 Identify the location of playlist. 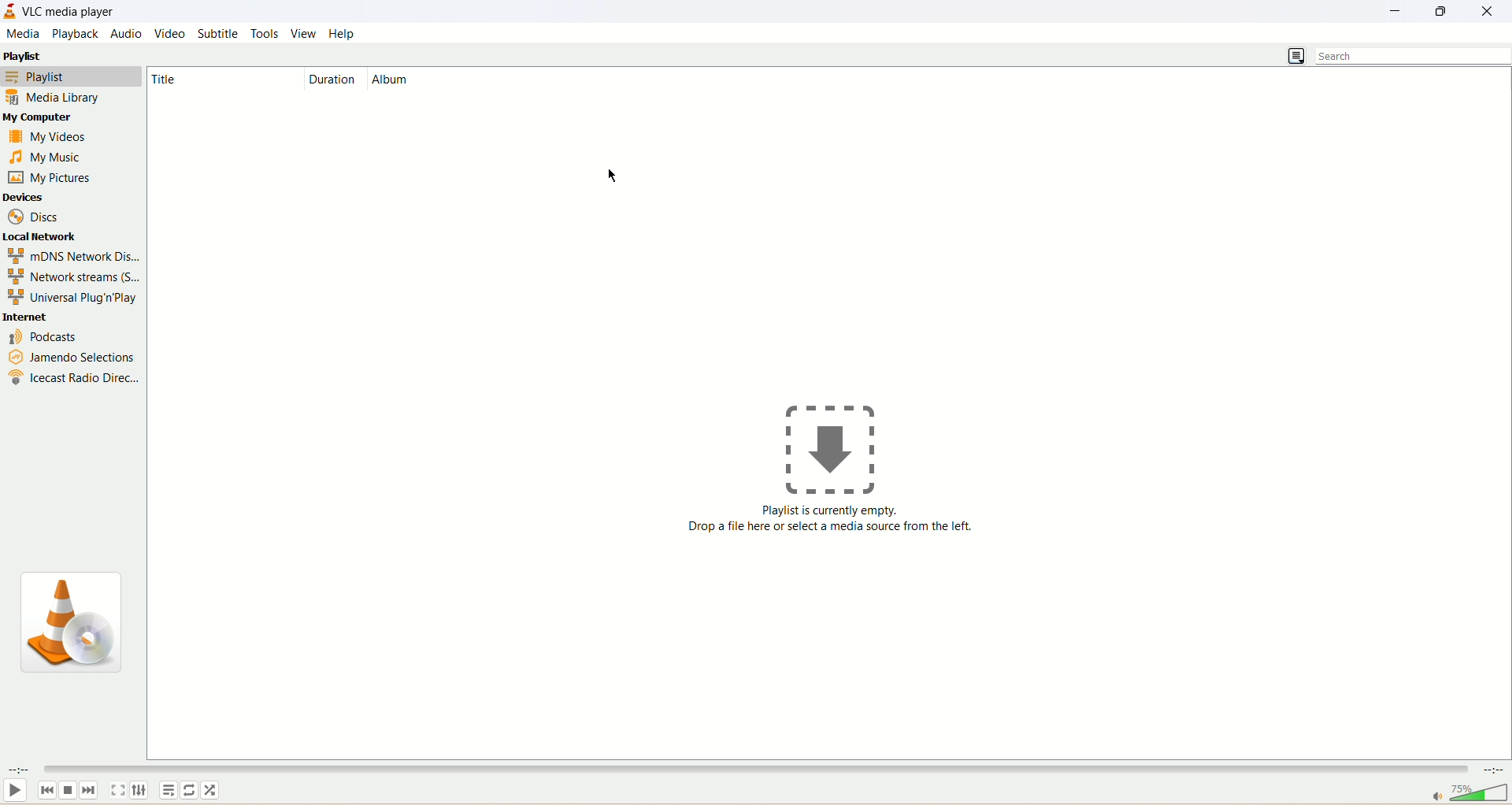
(169, 790).